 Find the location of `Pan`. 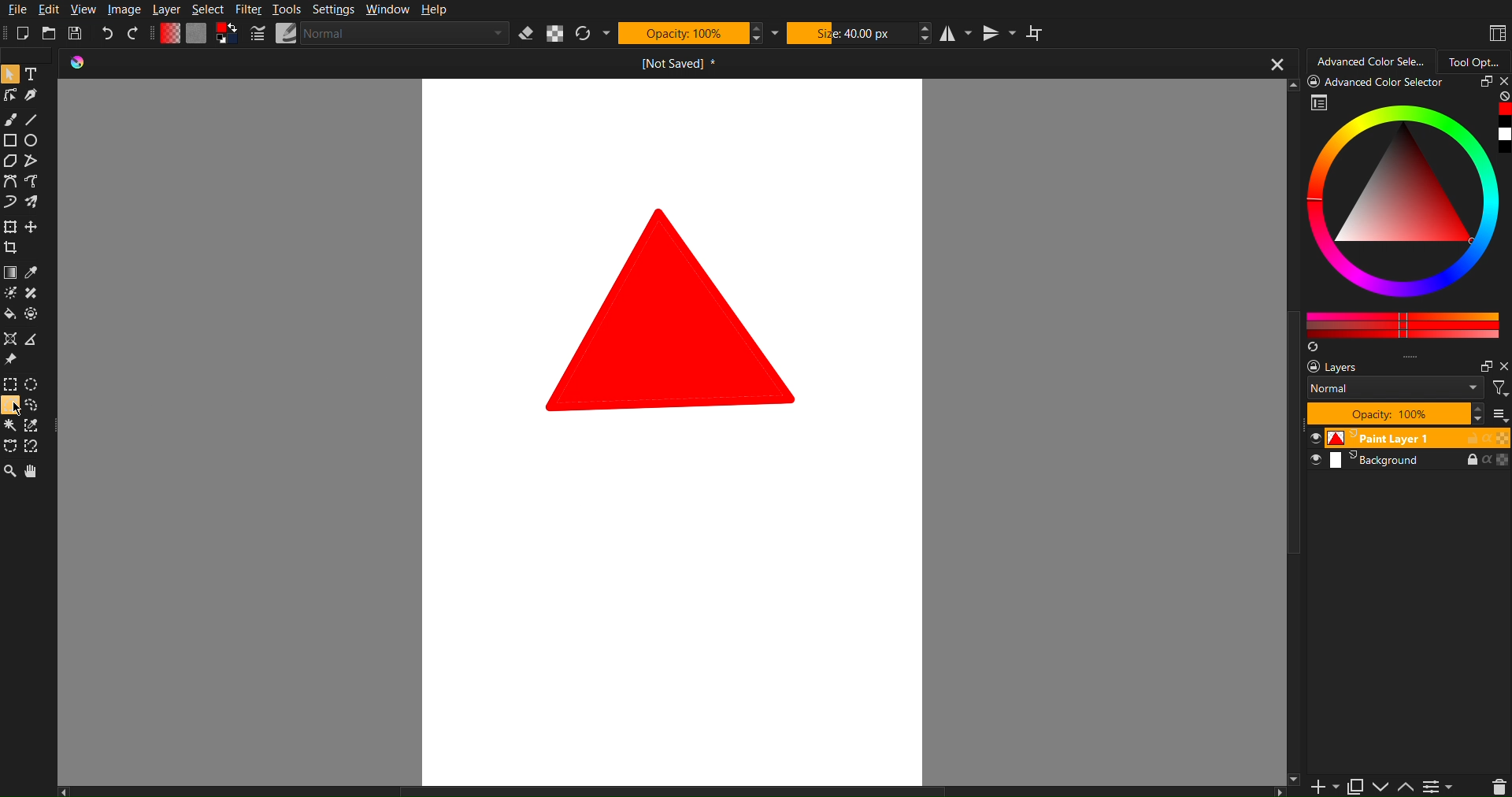

Pan is located at coordinates (36, 472).